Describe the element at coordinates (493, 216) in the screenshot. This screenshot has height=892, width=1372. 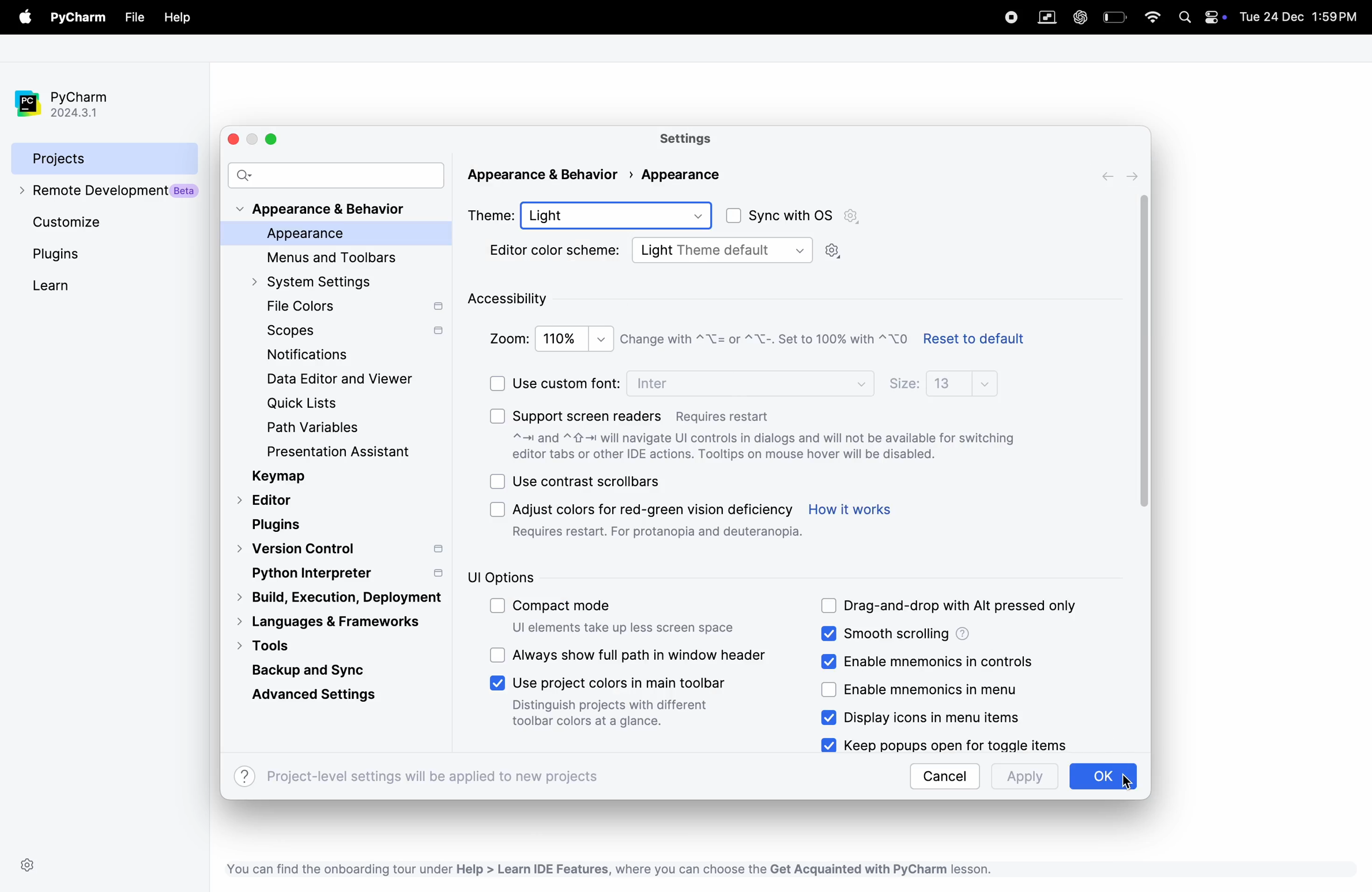
I see `theme` at that location.